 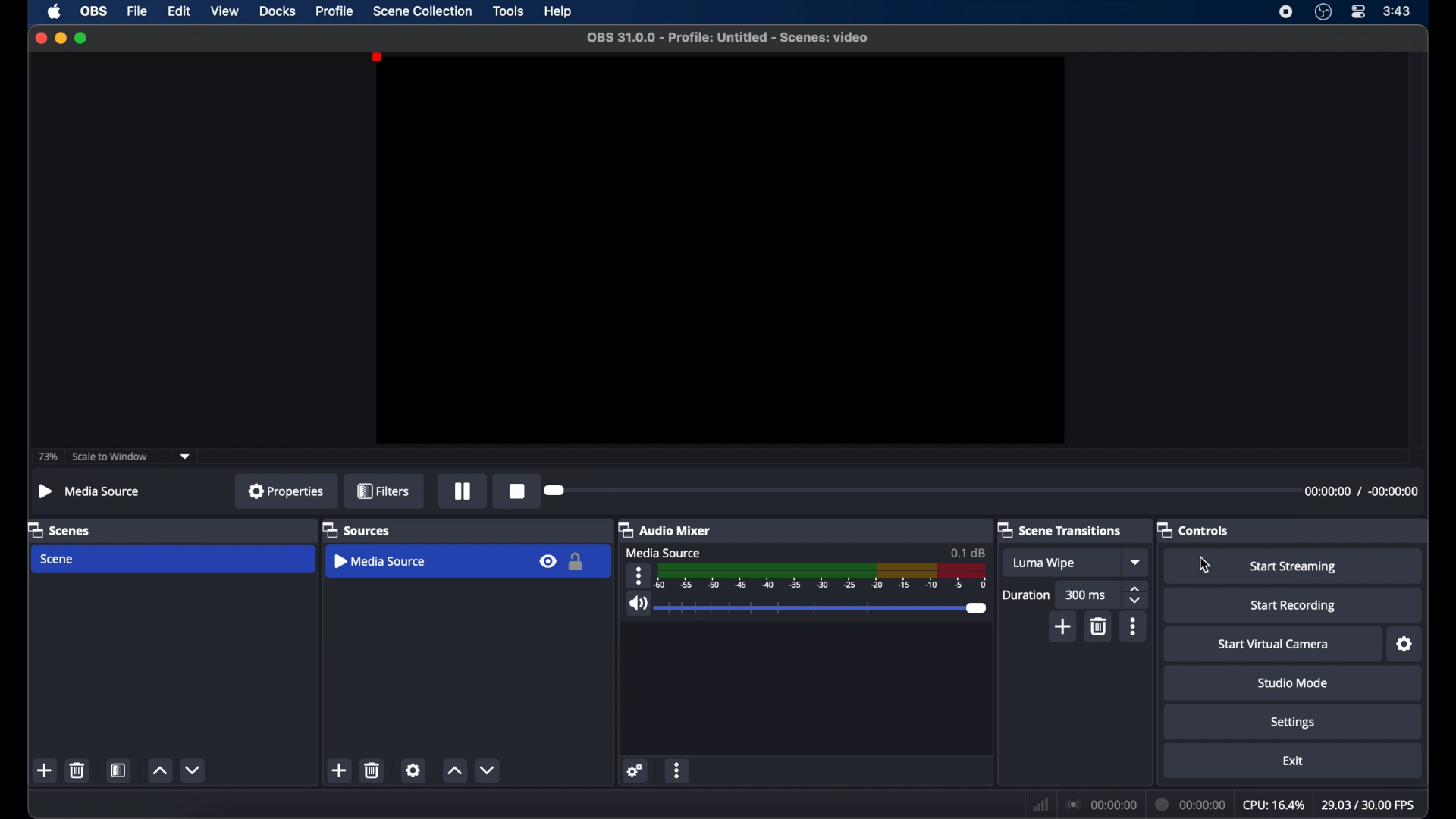 I want to click on delete, so click(x=373, y=770).